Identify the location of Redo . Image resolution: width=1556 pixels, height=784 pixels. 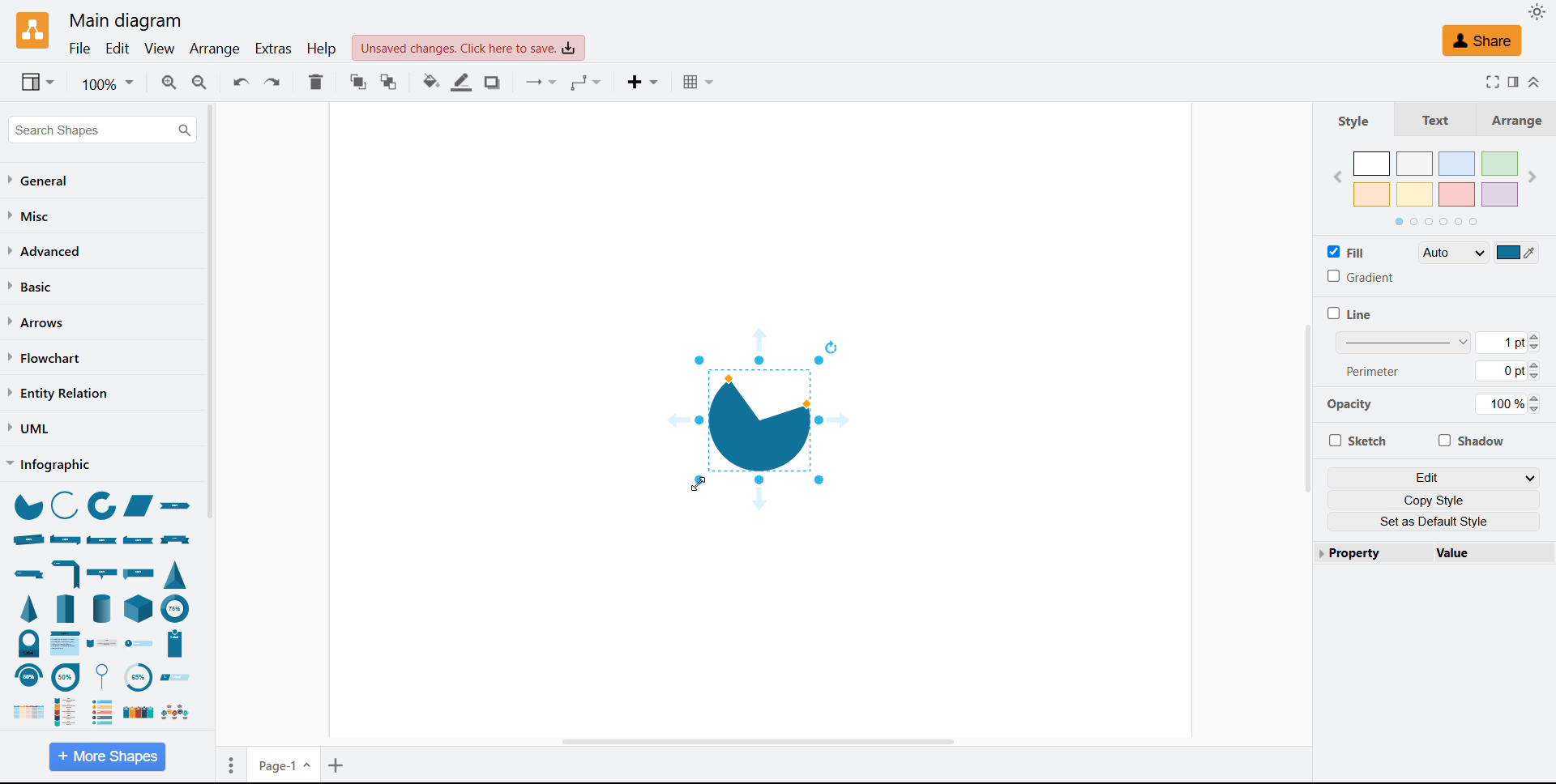
(272, 82).